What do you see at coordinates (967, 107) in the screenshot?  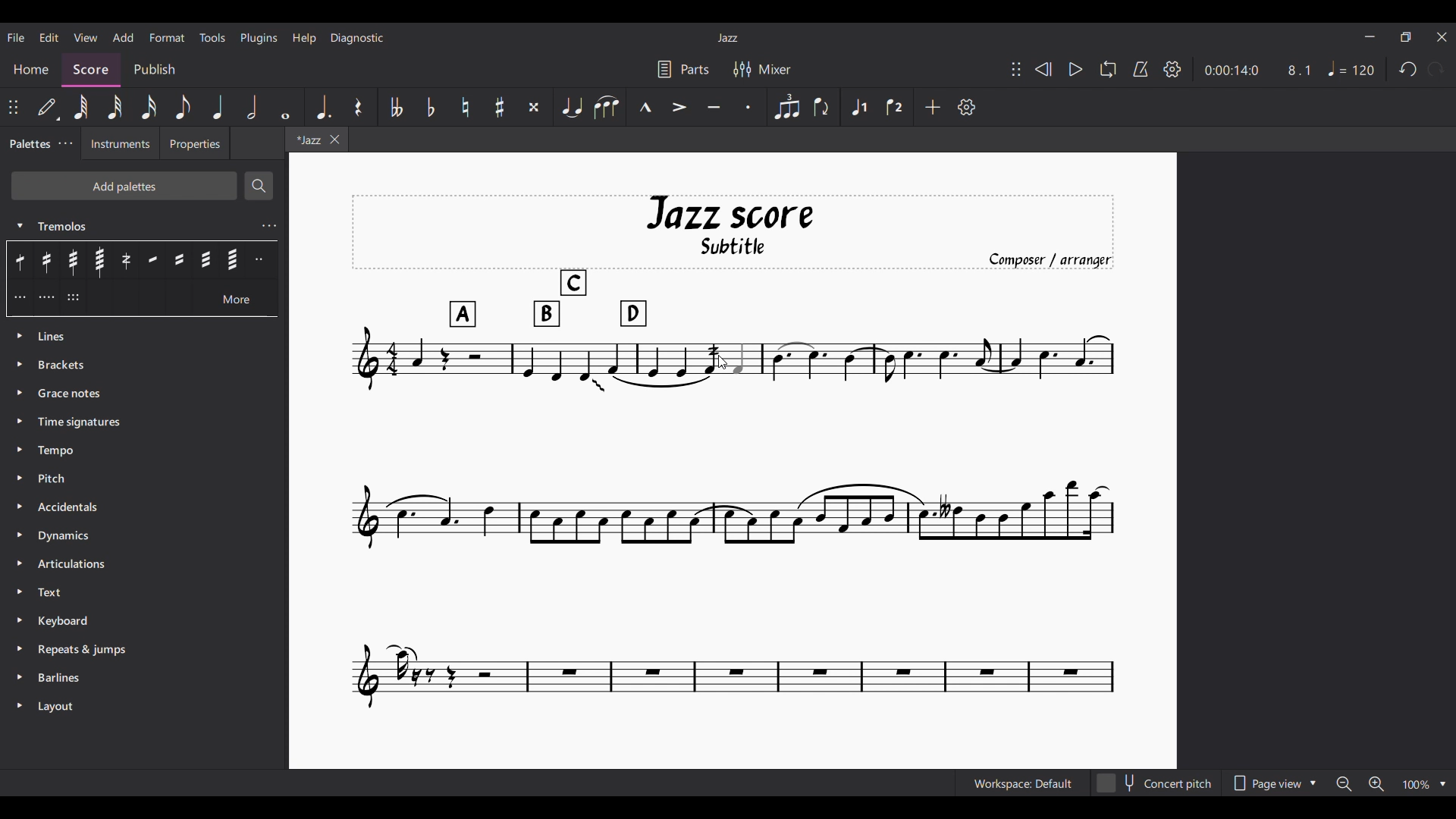 I see `Customize settings` at bounding box center [967, 107].